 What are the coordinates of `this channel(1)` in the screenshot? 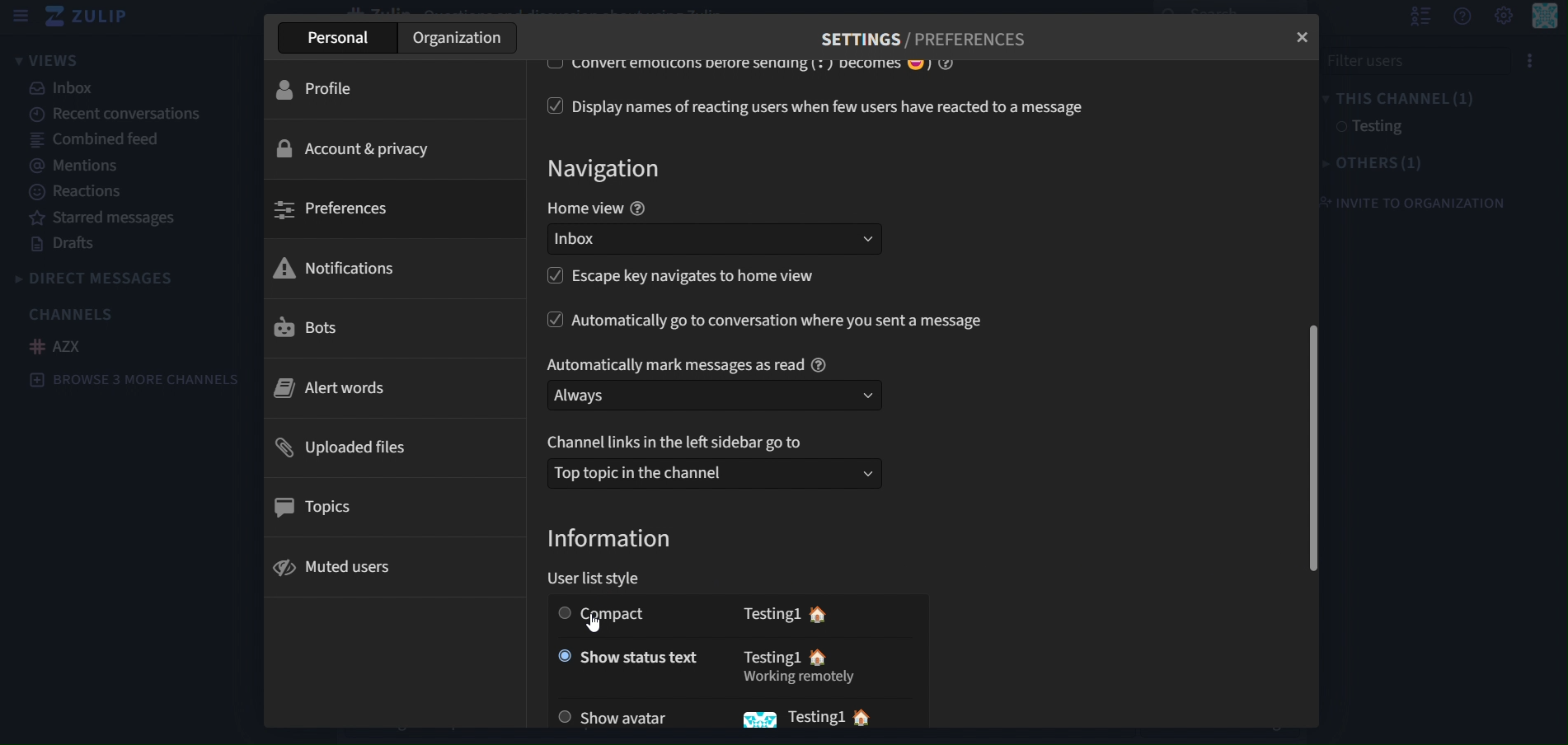 It's located at (1406, 96).